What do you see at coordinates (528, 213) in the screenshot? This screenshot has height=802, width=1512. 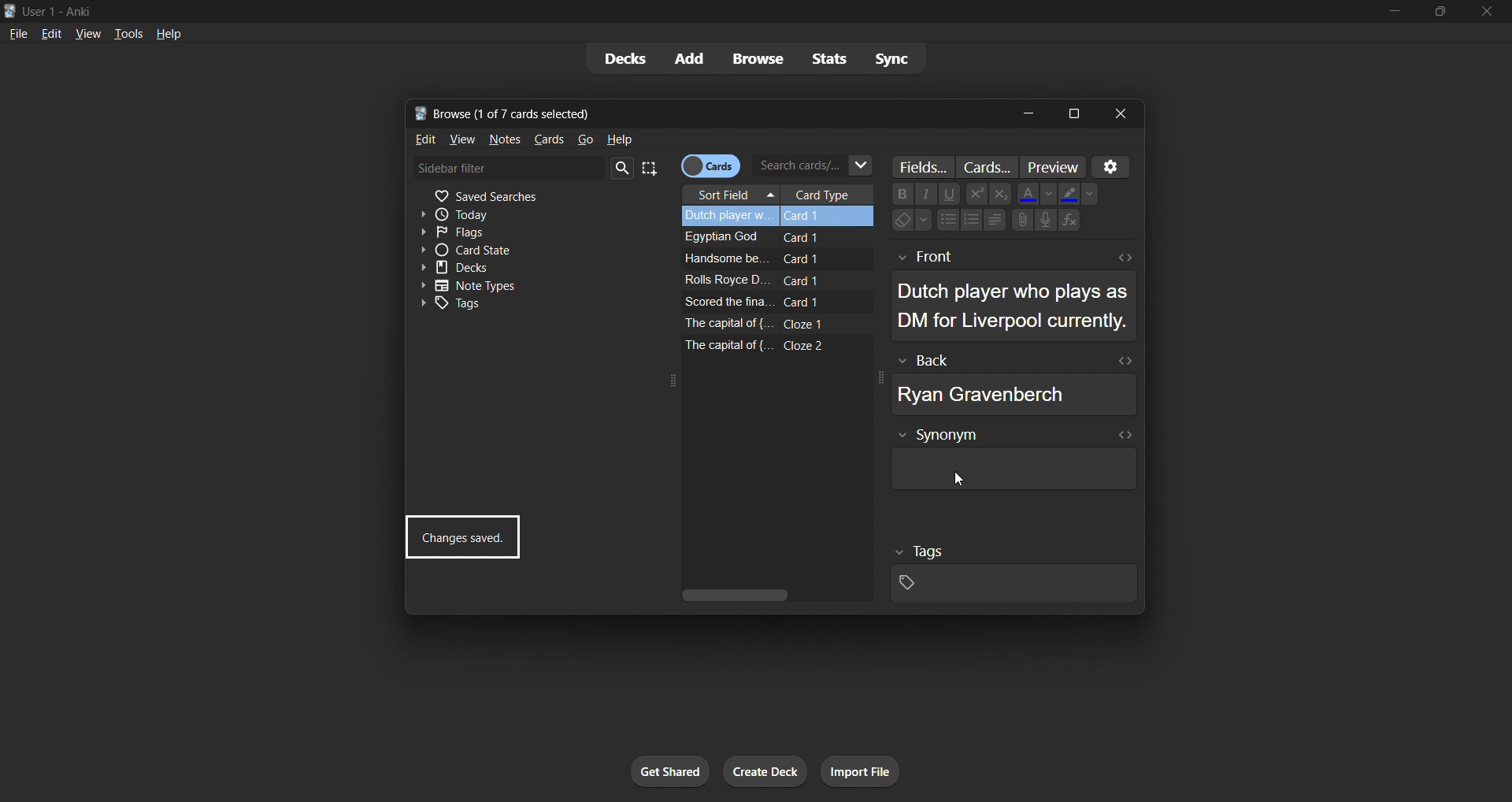 I see `today filter toggle` at bounding box center [528, 213].